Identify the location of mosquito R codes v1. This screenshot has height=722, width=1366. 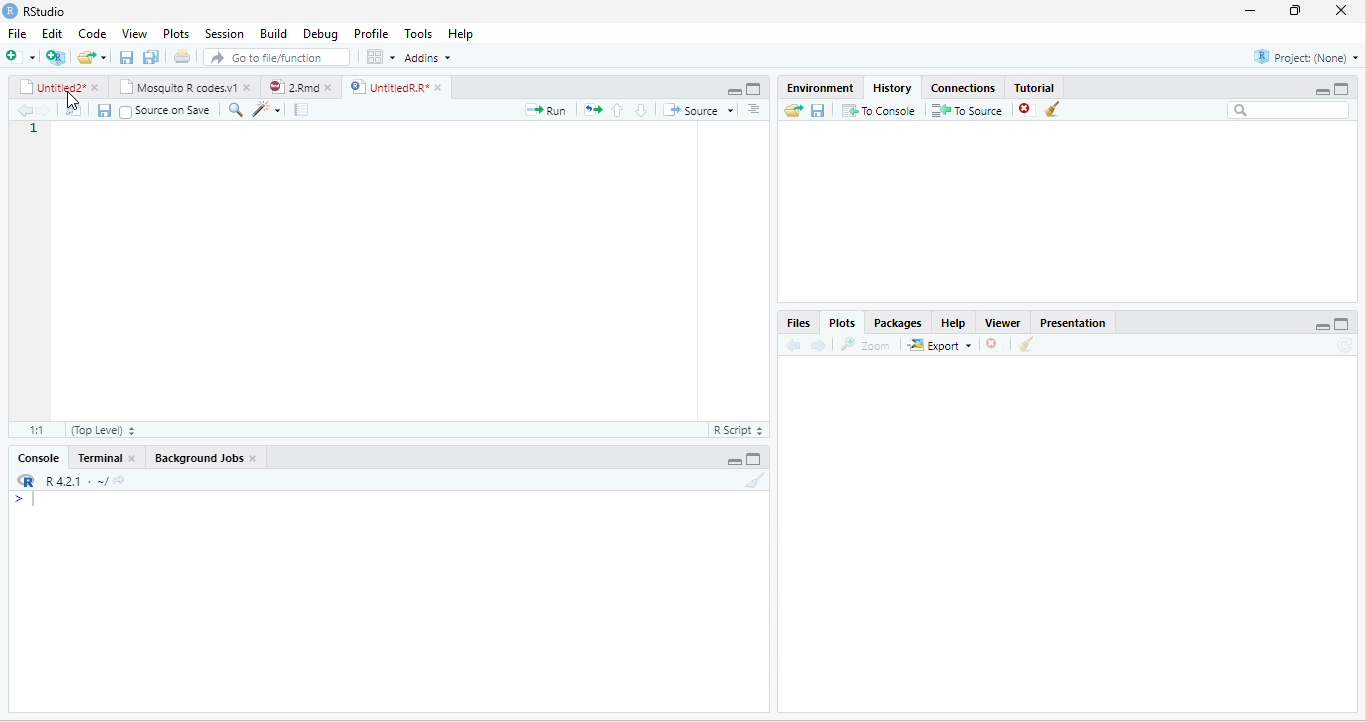
(183, 87).